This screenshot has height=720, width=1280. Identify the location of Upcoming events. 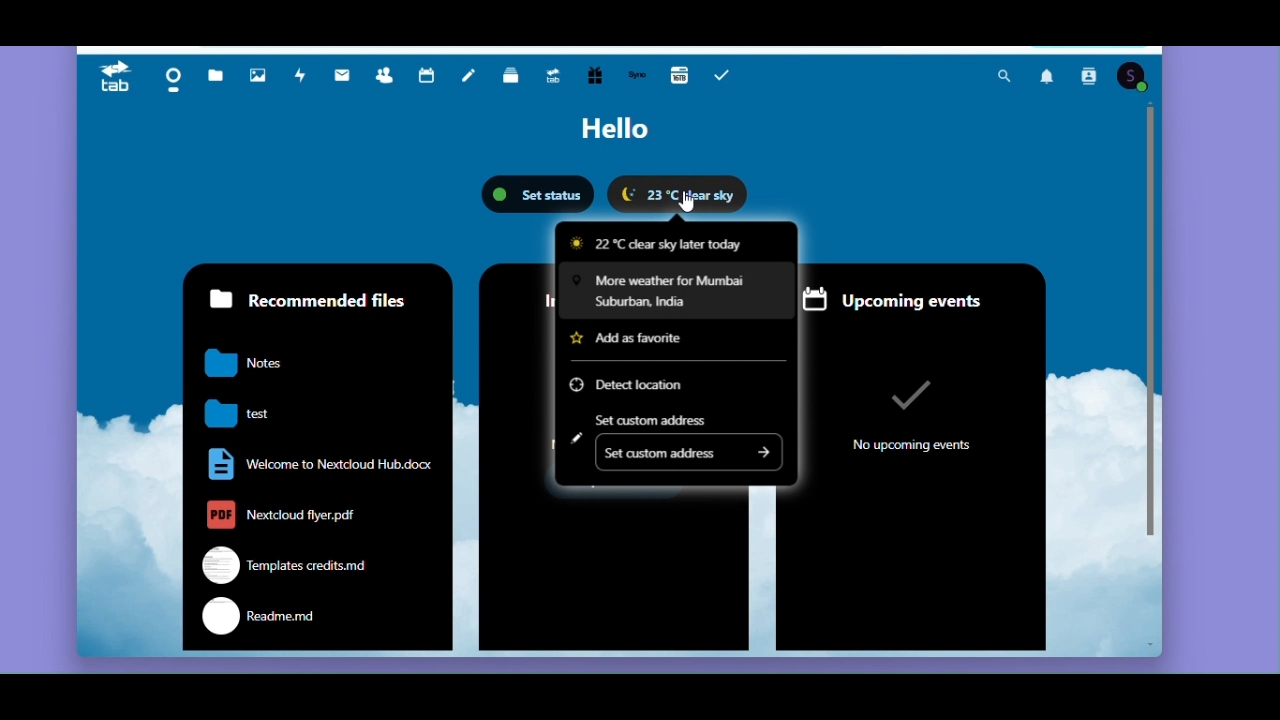
(919, 297).